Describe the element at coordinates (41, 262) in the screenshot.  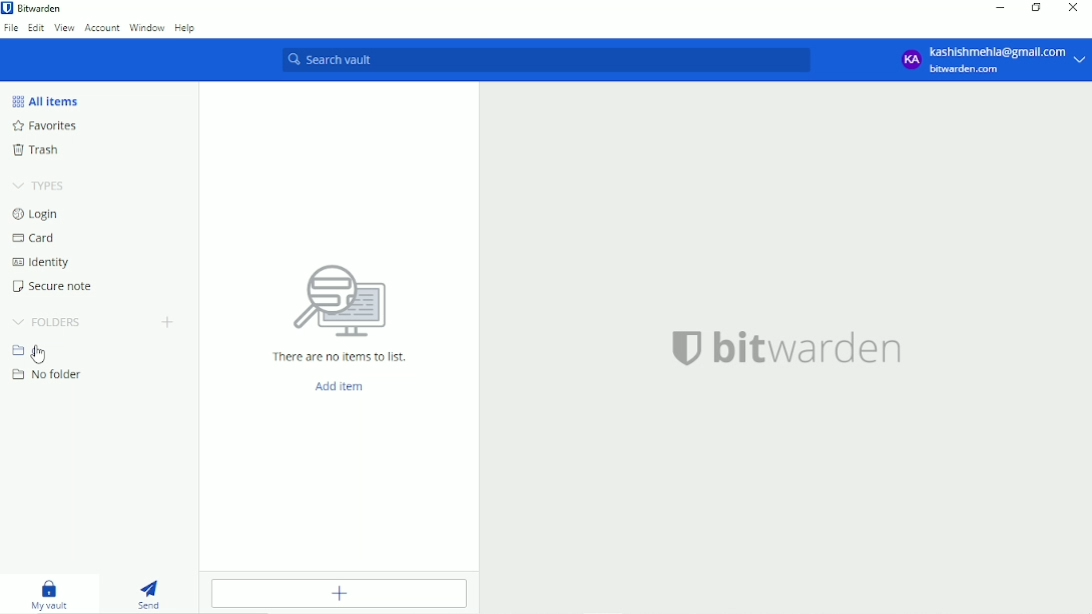
I see `Identity` at that location.